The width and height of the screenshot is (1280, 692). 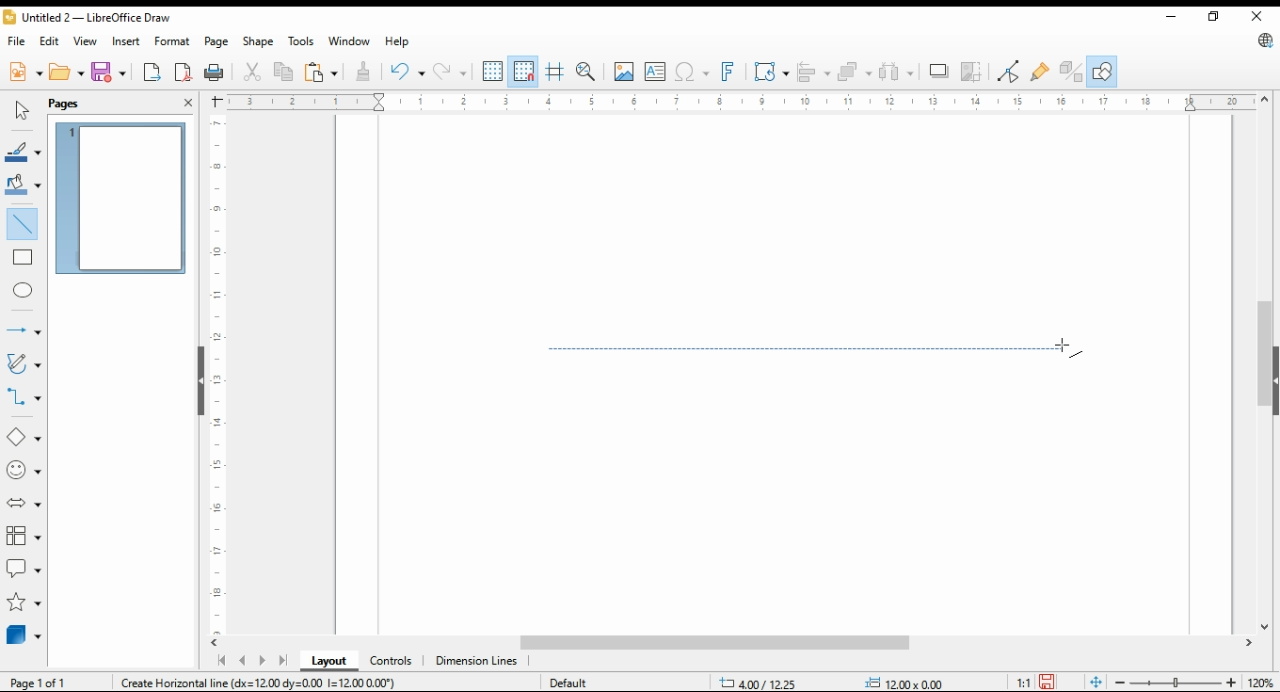 What do you see at coordinates (22, 110) in the screenshot?
I see `select` at bounding box center [22, 110].